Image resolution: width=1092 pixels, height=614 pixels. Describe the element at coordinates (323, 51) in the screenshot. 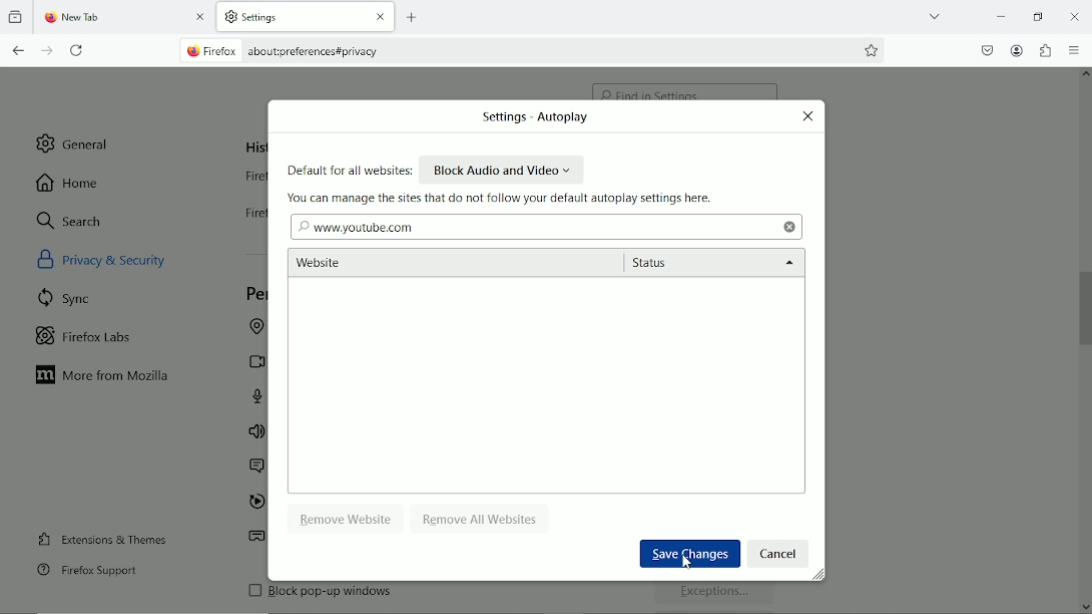

I see `about:oreferences#privacy` at that location.